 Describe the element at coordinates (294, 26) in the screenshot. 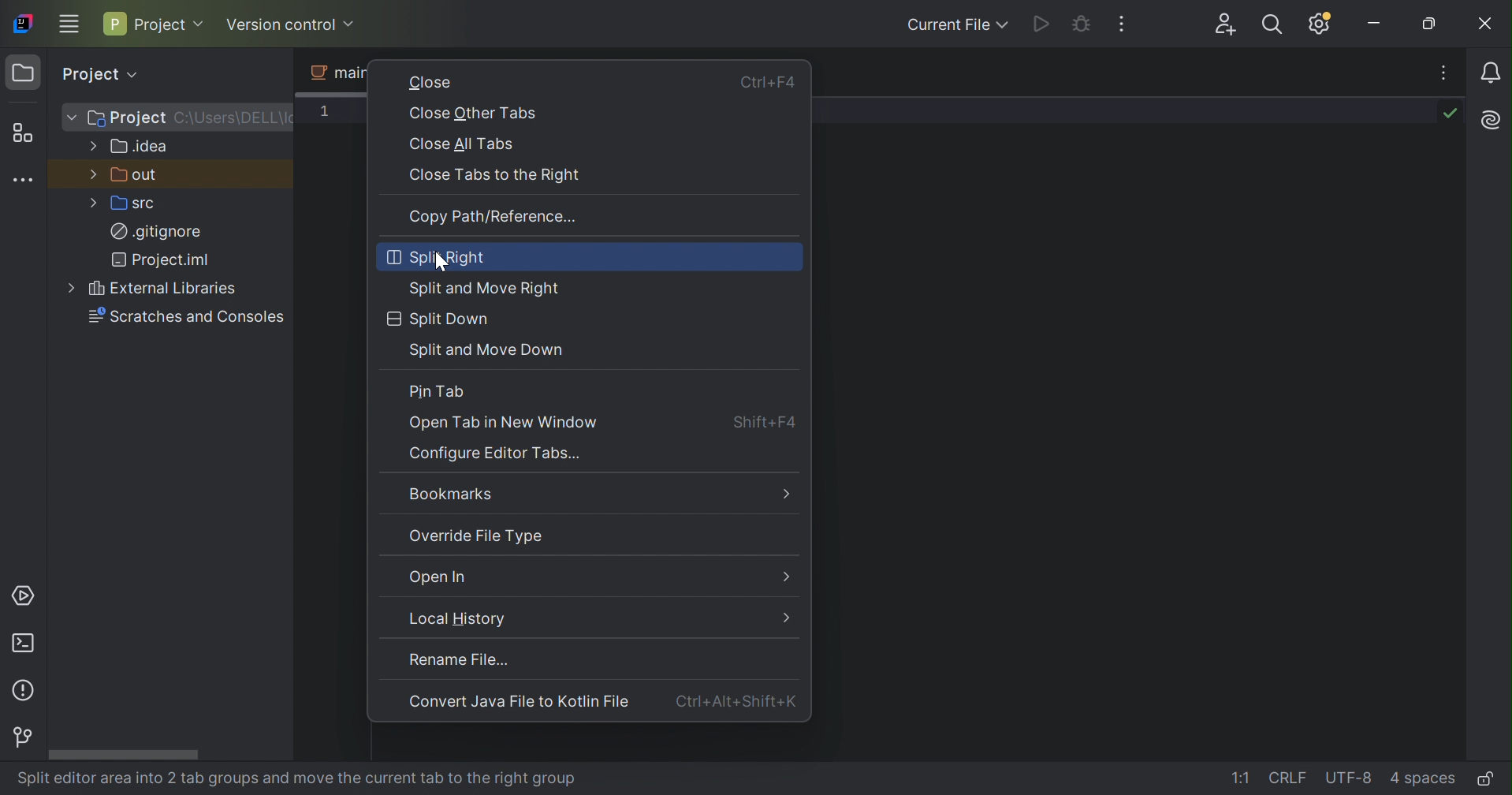

I see `Version control` at that location.